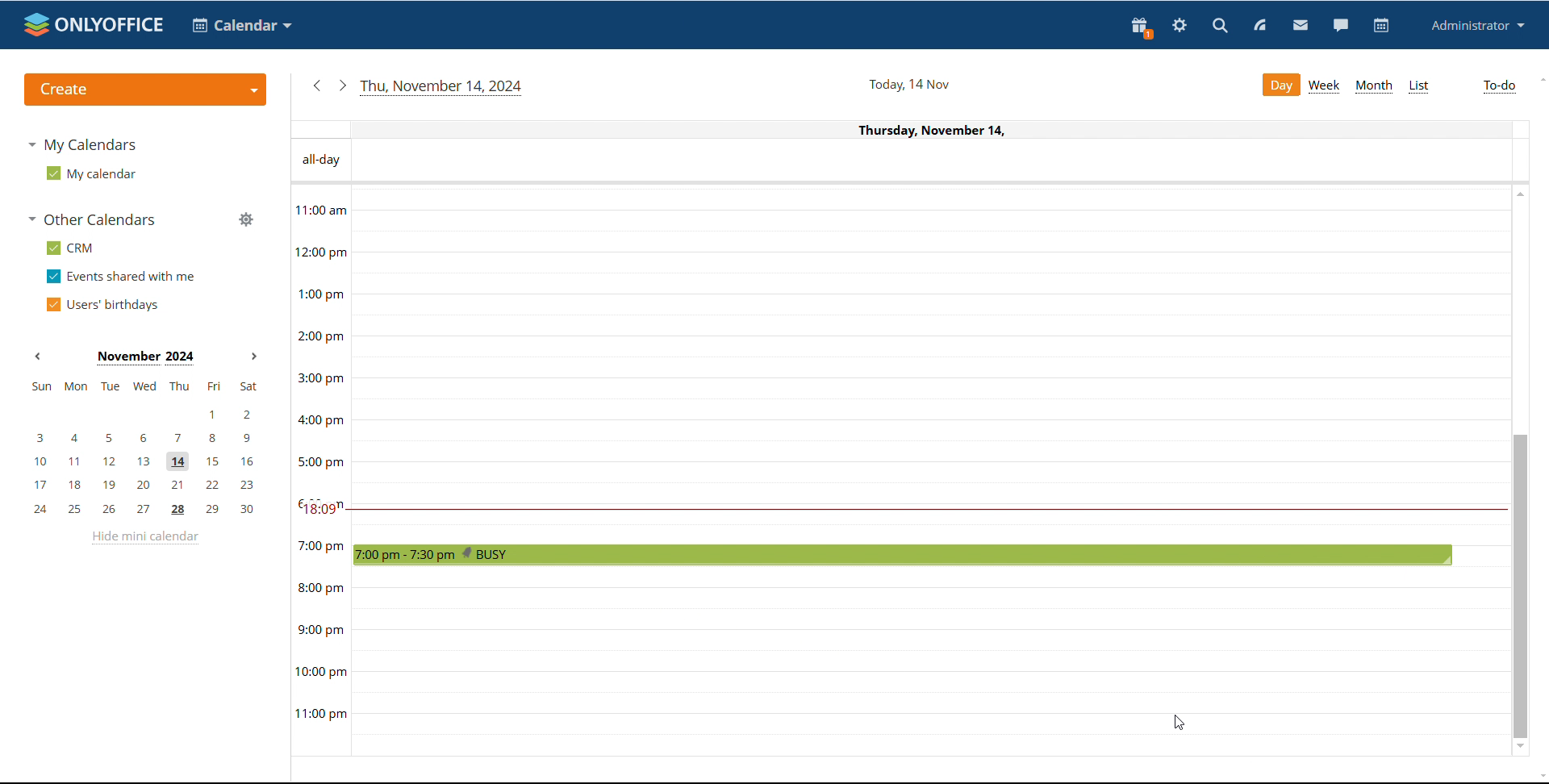 This screenshot has width=1549, height=784. Describe the element at coordinates (244, 219) in the screenshot. I see `manage` at that location.